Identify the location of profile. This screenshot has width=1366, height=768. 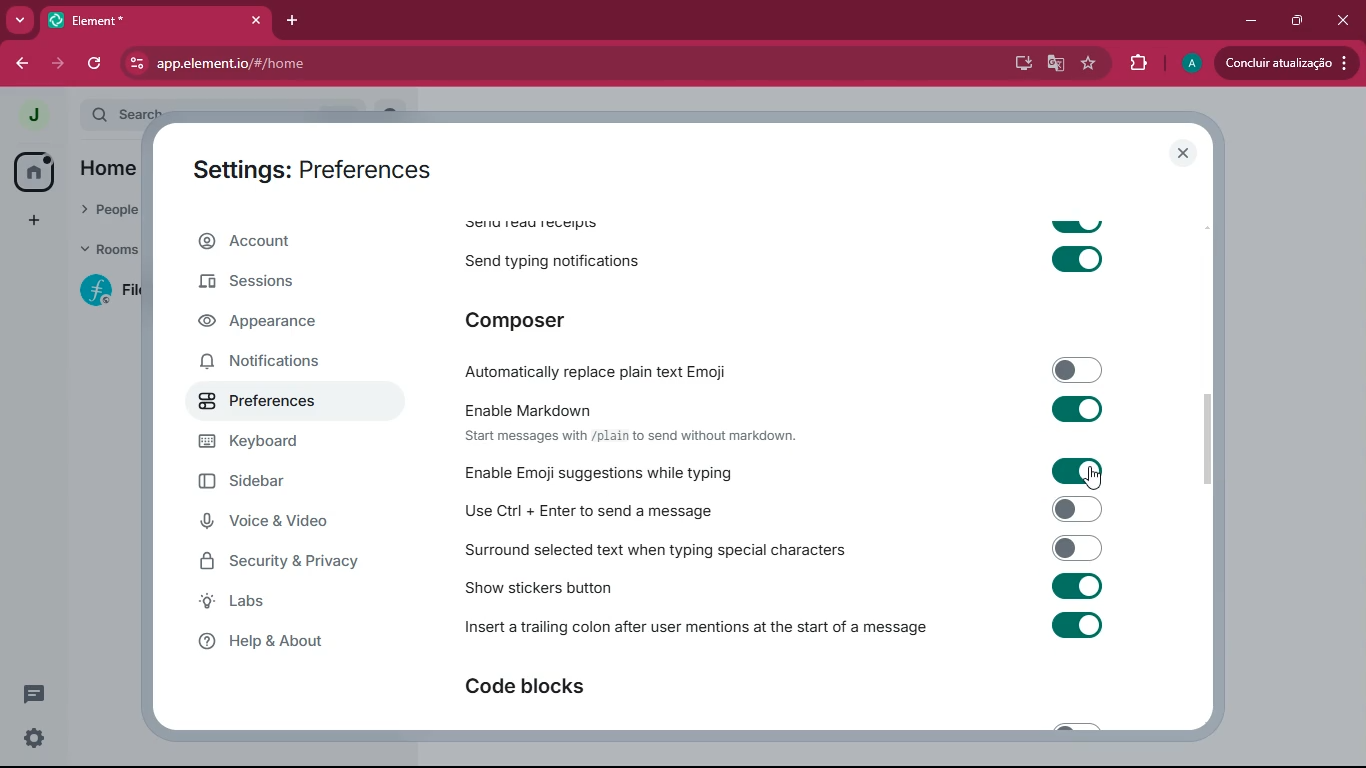
(1193, 63).